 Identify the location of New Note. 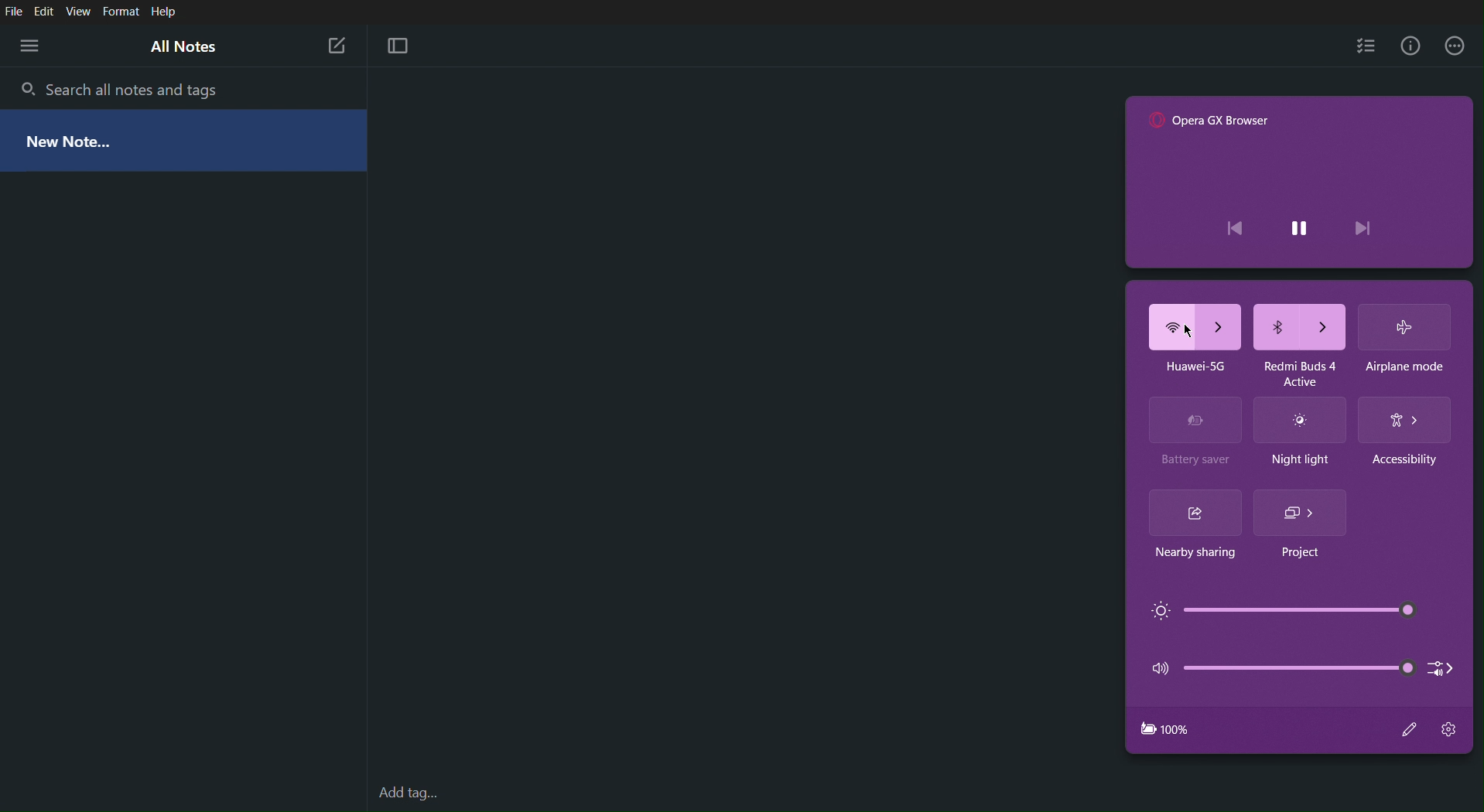
(334, 43).